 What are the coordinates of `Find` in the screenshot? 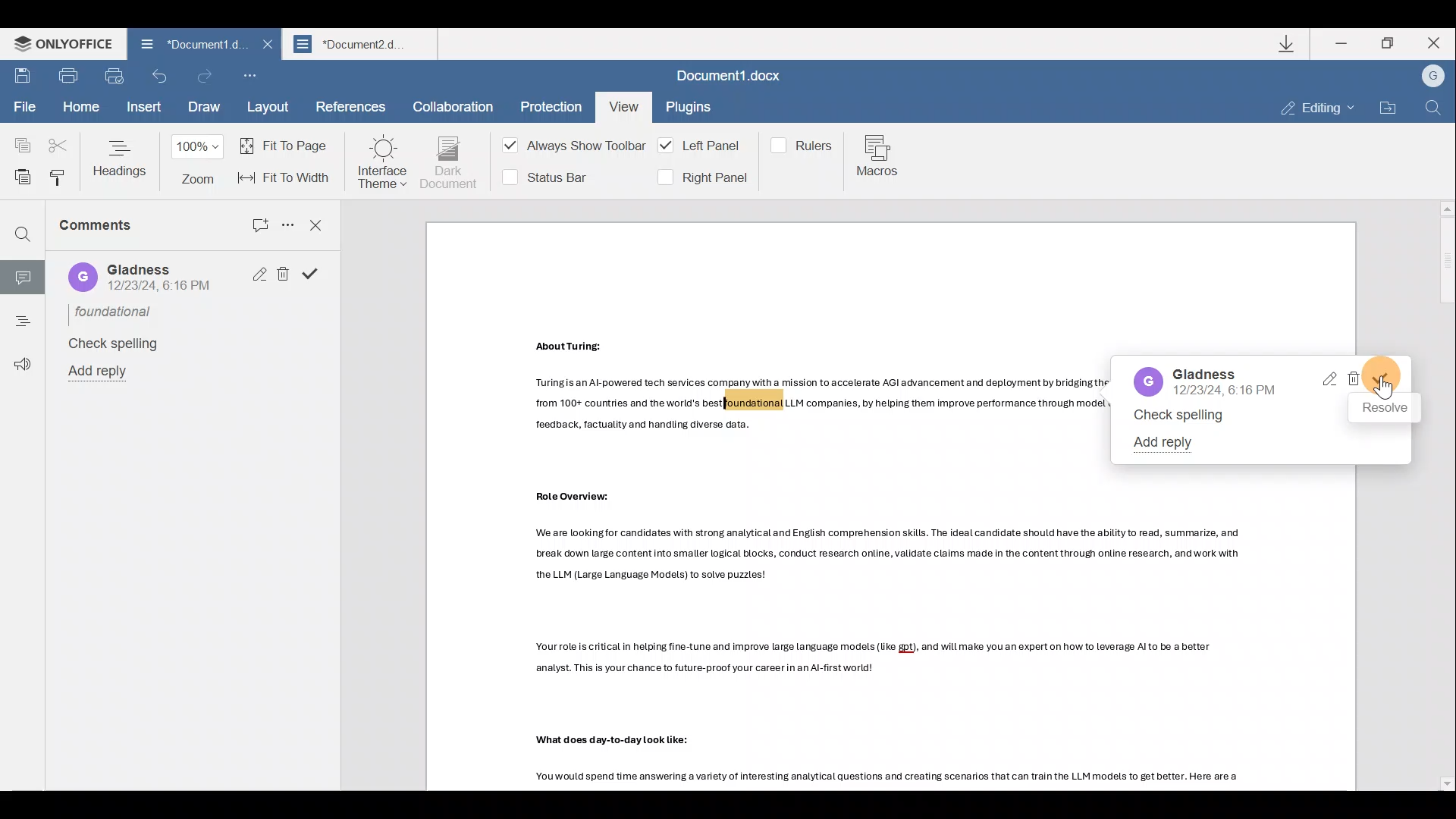 It's located at (23, 236).